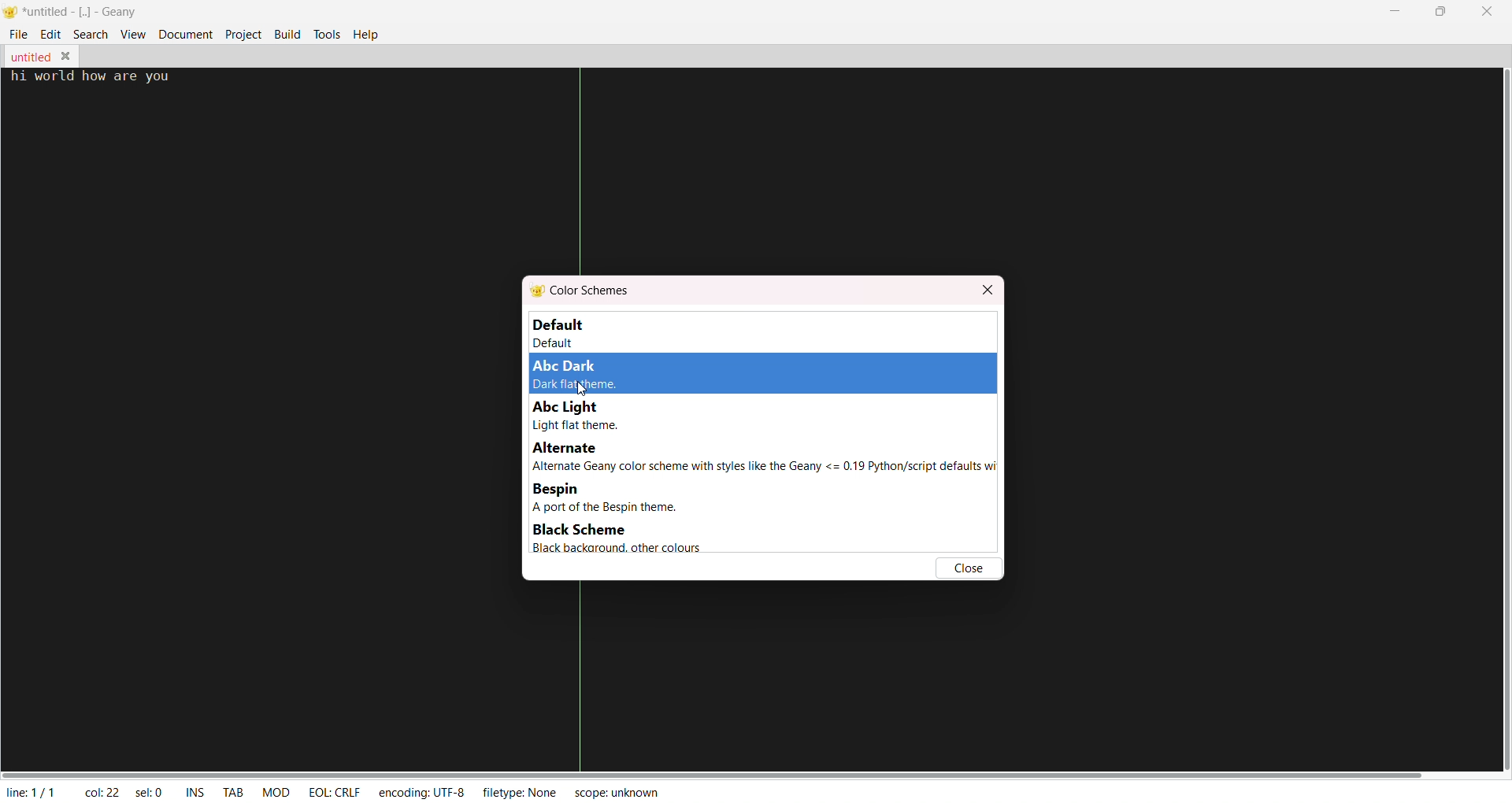 This screenshot has width=1512, height=803. I want to click on edit, so click(50, 34).